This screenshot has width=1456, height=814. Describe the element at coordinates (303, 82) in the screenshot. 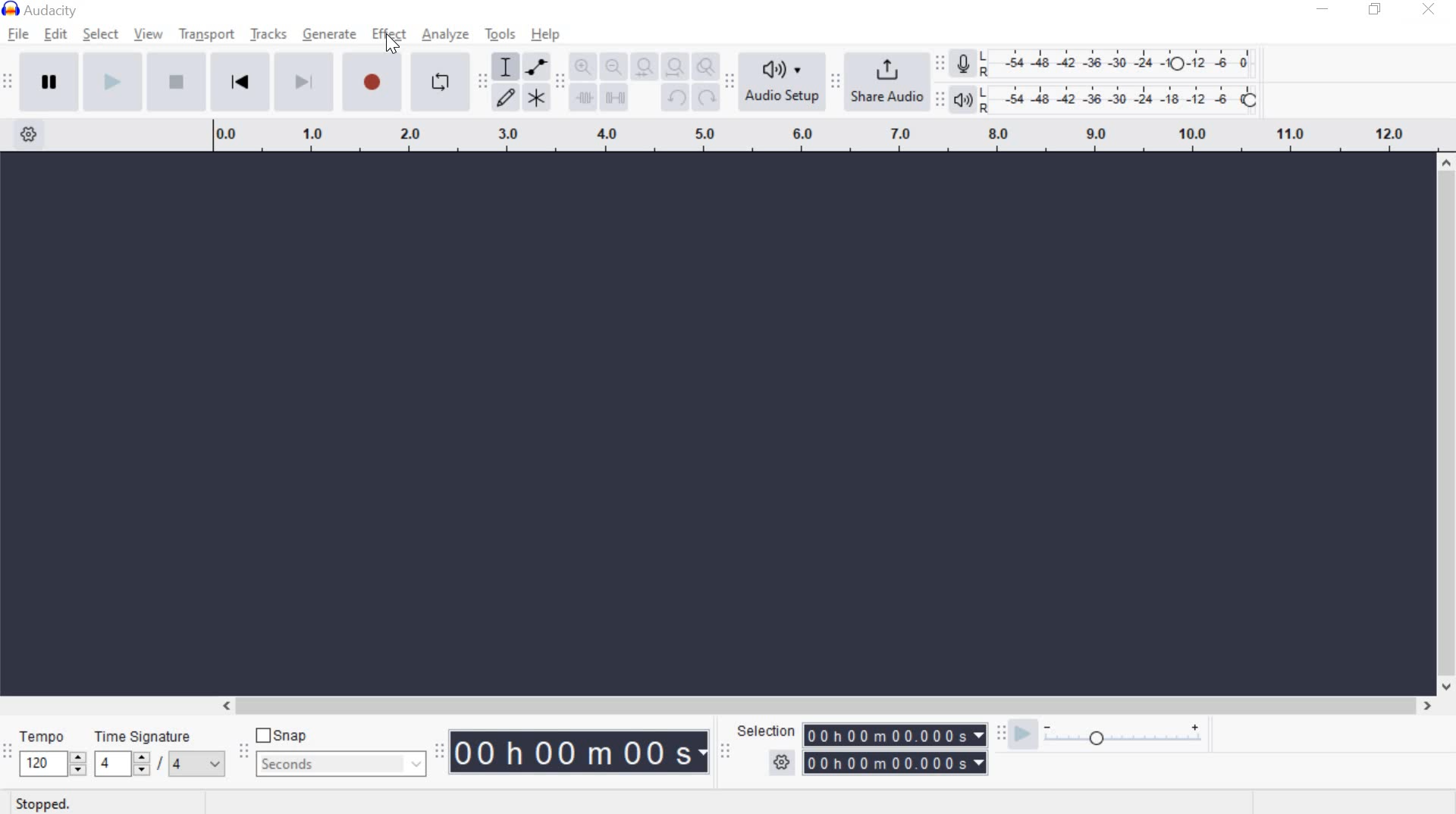

I see `Skip to End` at that location.